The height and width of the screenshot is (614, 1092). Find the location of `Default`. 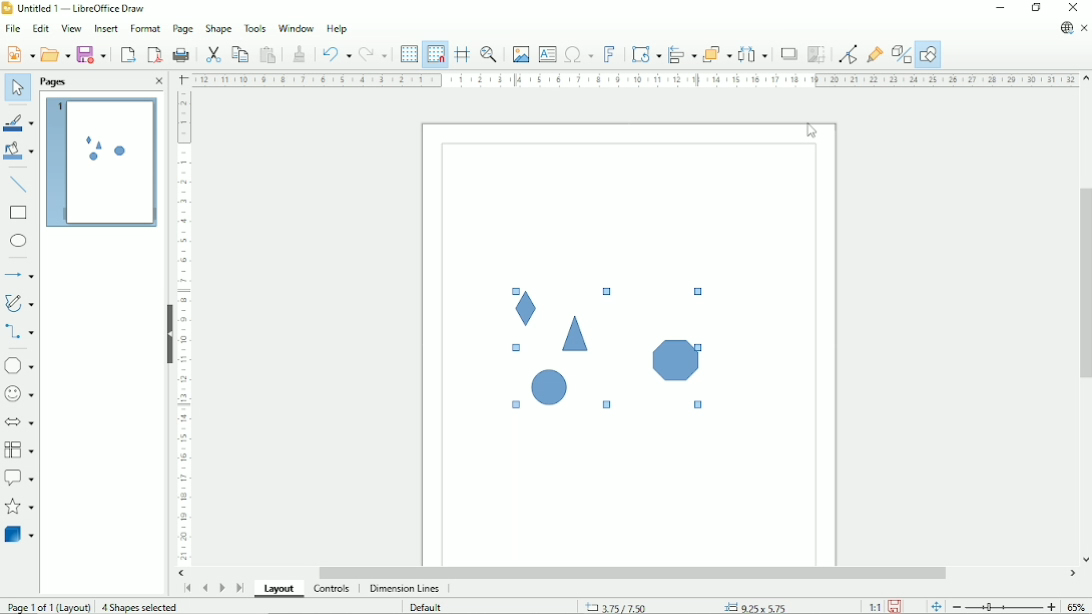

Default is located at coordinates (429, 606).